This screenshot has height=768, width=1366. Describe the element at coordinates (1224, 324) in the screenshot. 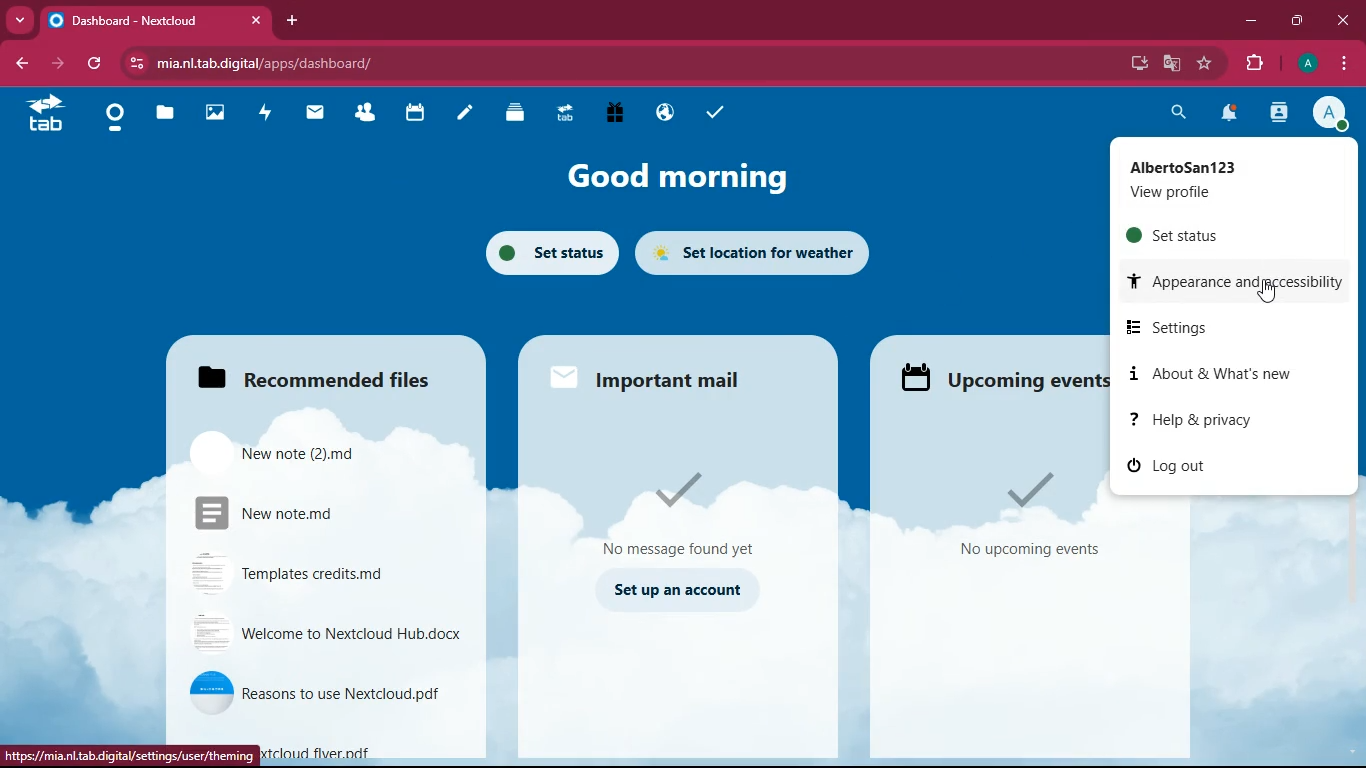

I see `settings` at that location.